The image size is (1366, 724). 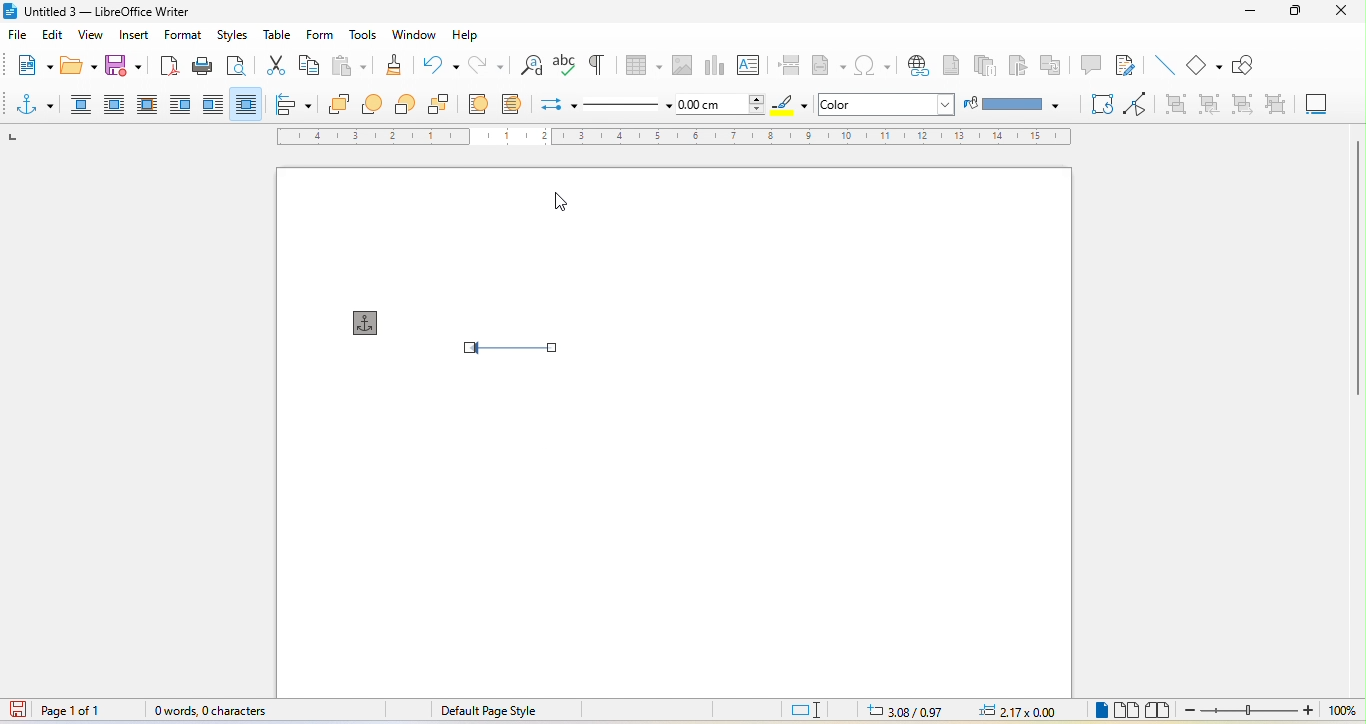 What do you see at coordinates (1160, 710) in the screenshot?
I see `book view` at bounding box center [1160, 710].